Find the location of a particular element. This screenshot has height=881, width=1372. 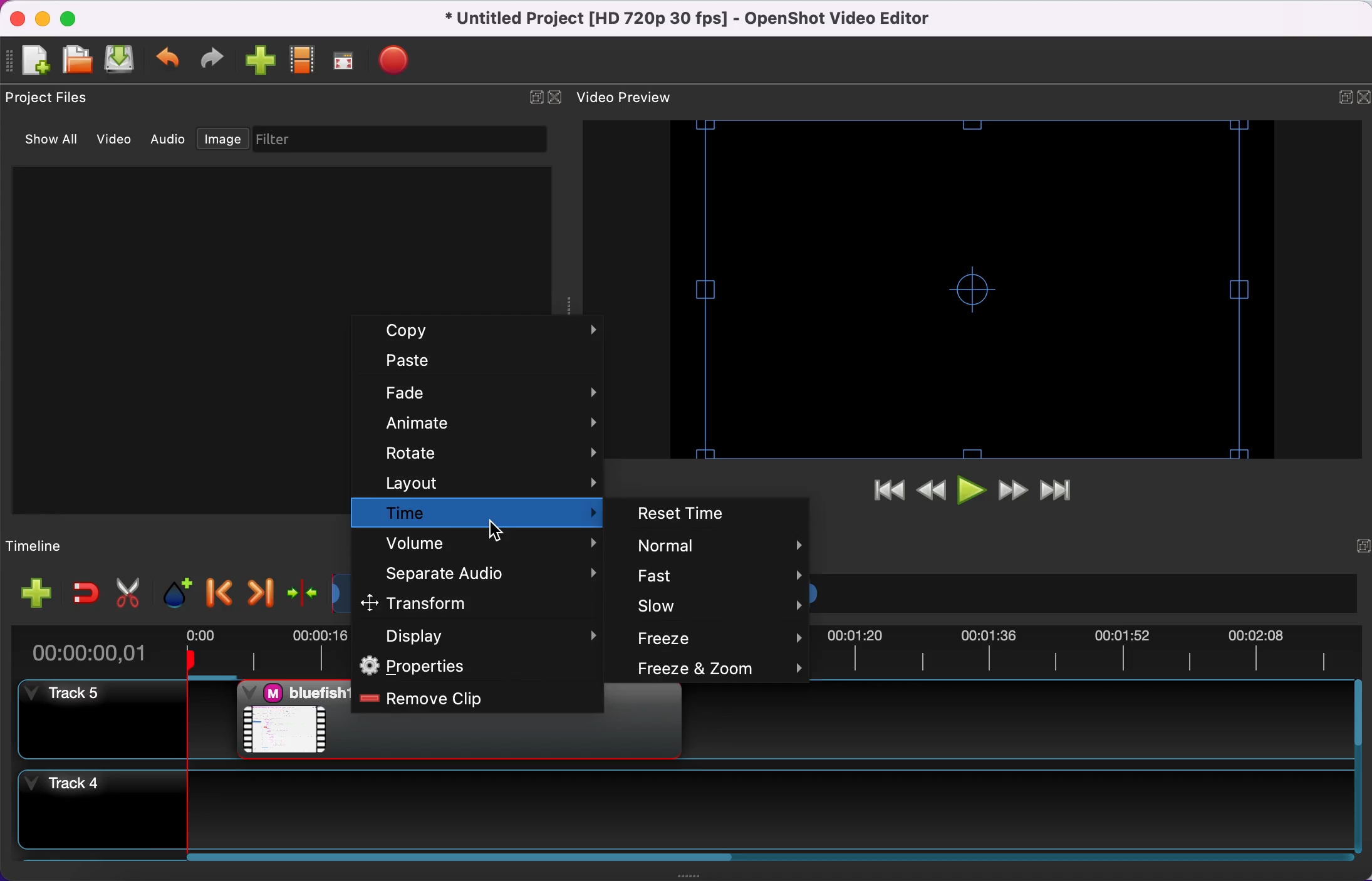

expand/hide is located at coordinates (1333, 98).